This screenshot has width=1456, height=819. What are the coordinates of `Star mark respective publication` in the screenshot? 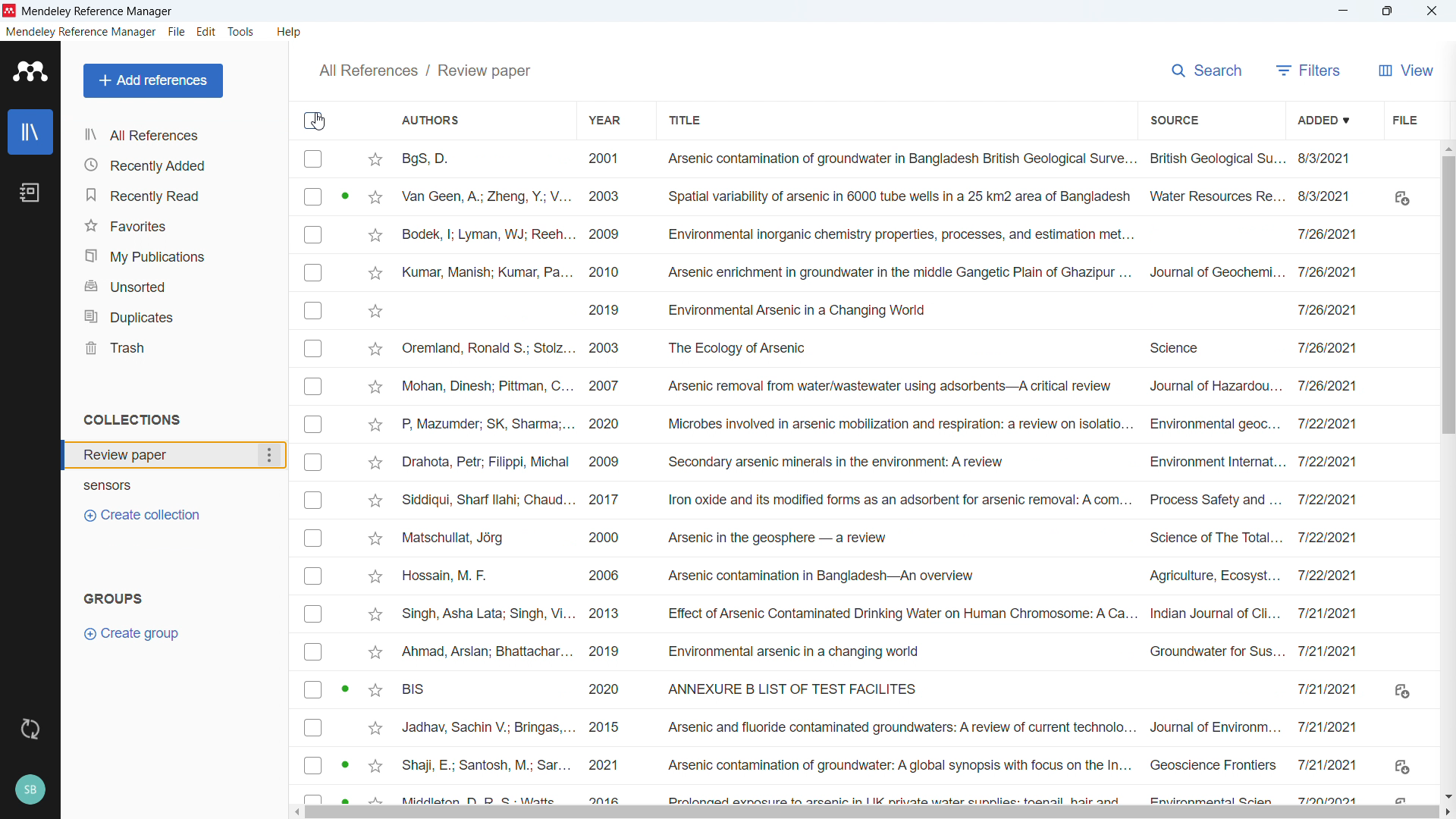 It's located at (375, 425).